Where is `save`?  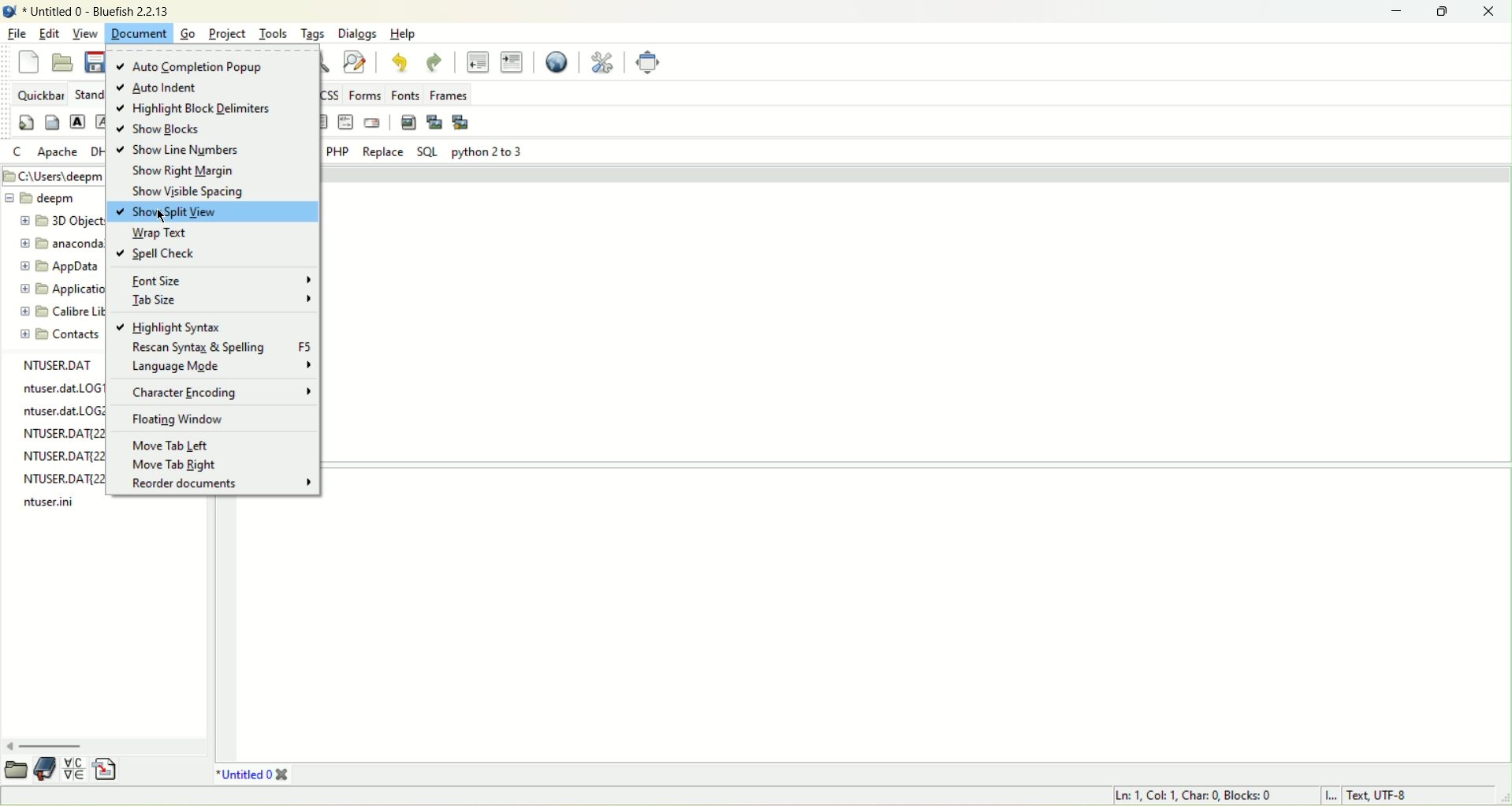 save is located at coordinates (97, 63).